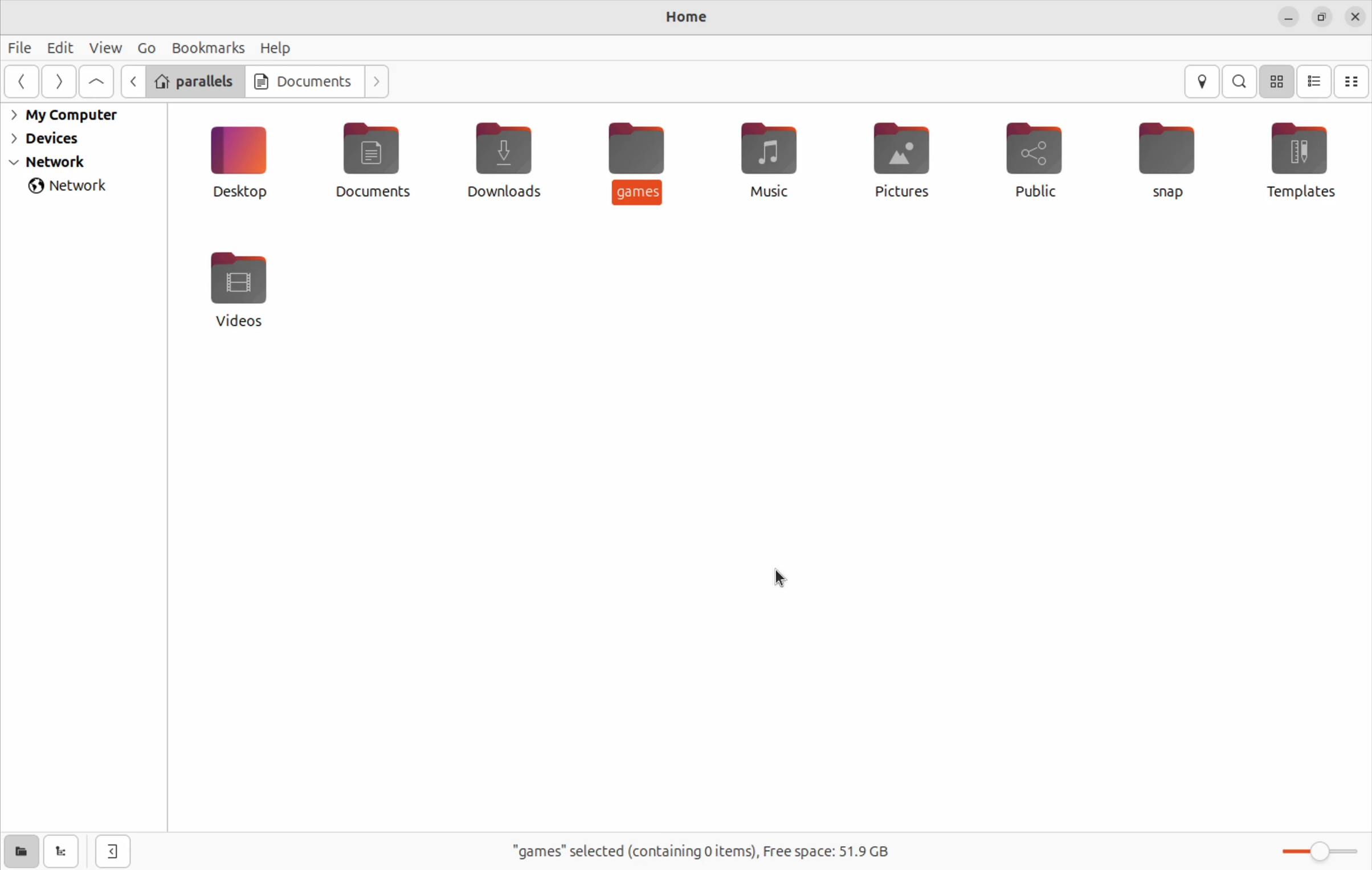  Describe the element at coordinates (771, 157) in the screenshot. I see `music files` at that location.